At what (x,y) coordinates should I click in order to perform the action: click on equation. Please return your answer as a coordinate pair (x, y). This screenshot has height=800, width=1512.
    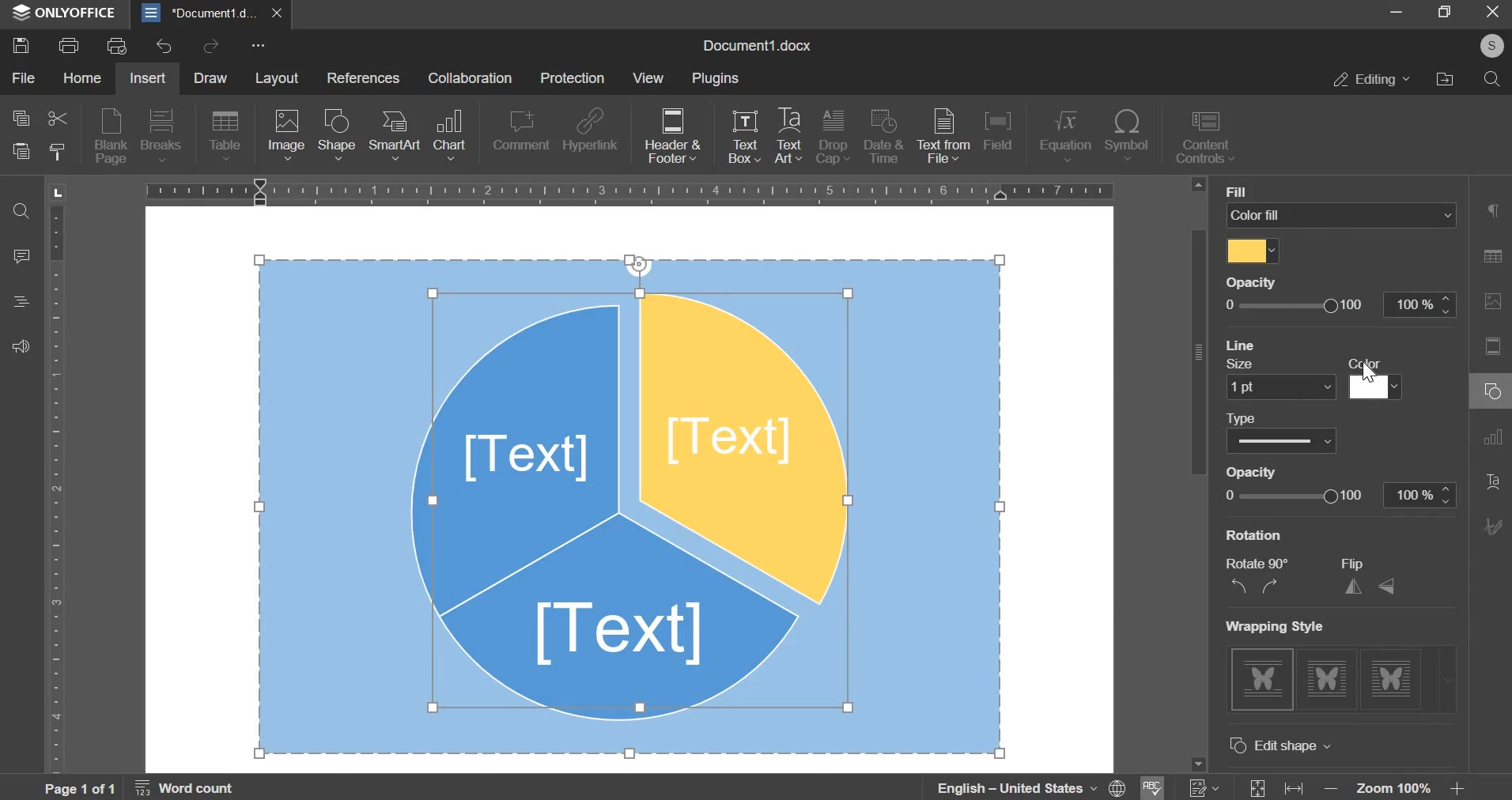
    Looking at the image, I should click on (1066, 137).